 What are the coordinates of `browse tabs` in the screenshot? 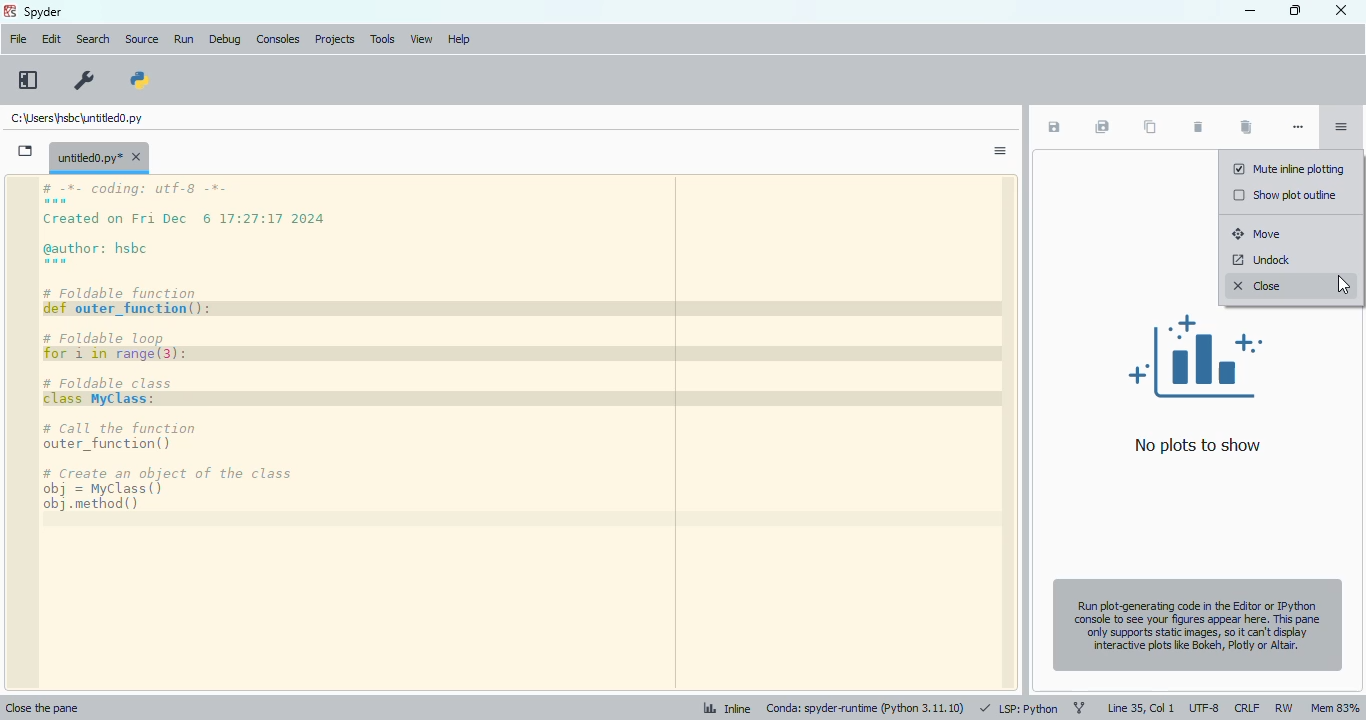 It's located at (26, 151).